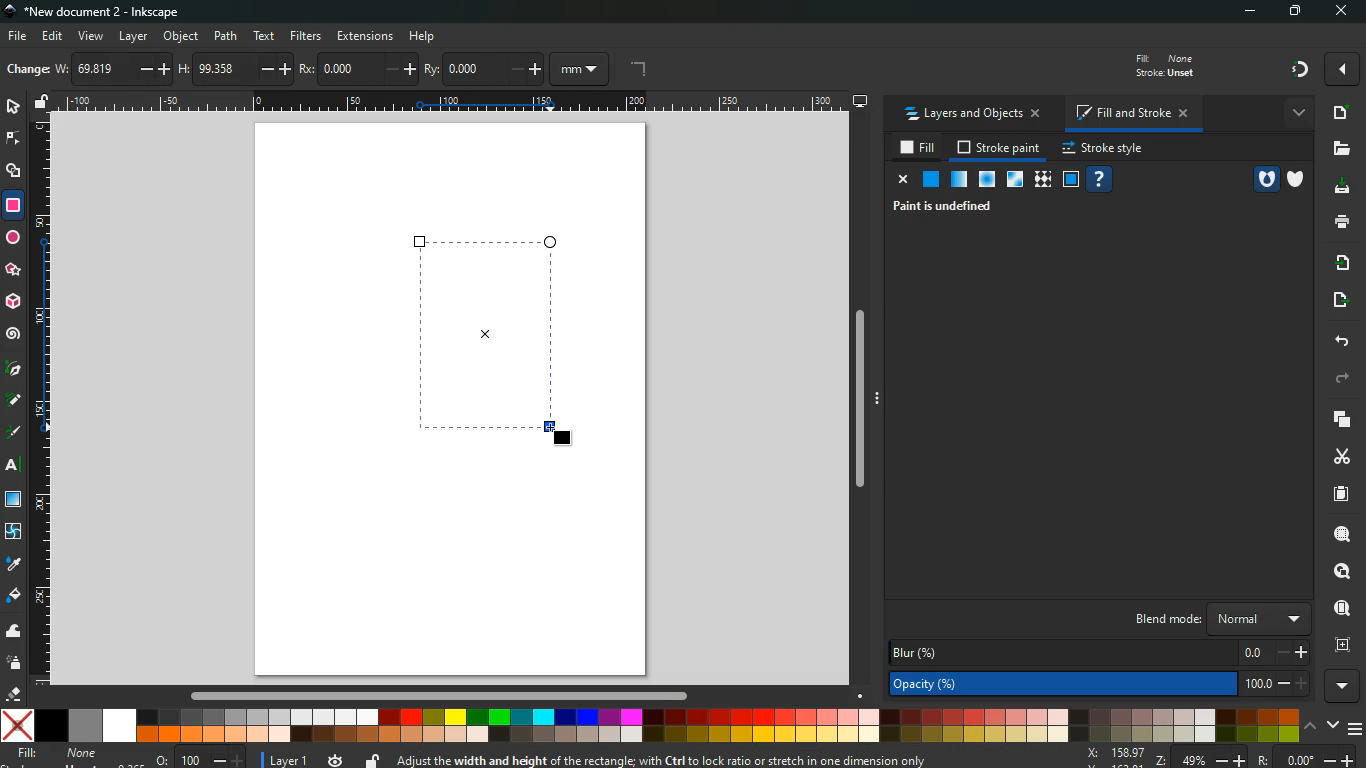 The image size is (1366, 768). Describe the element at coordinates (14, 501) in the screenshot. I see `window` at that location.